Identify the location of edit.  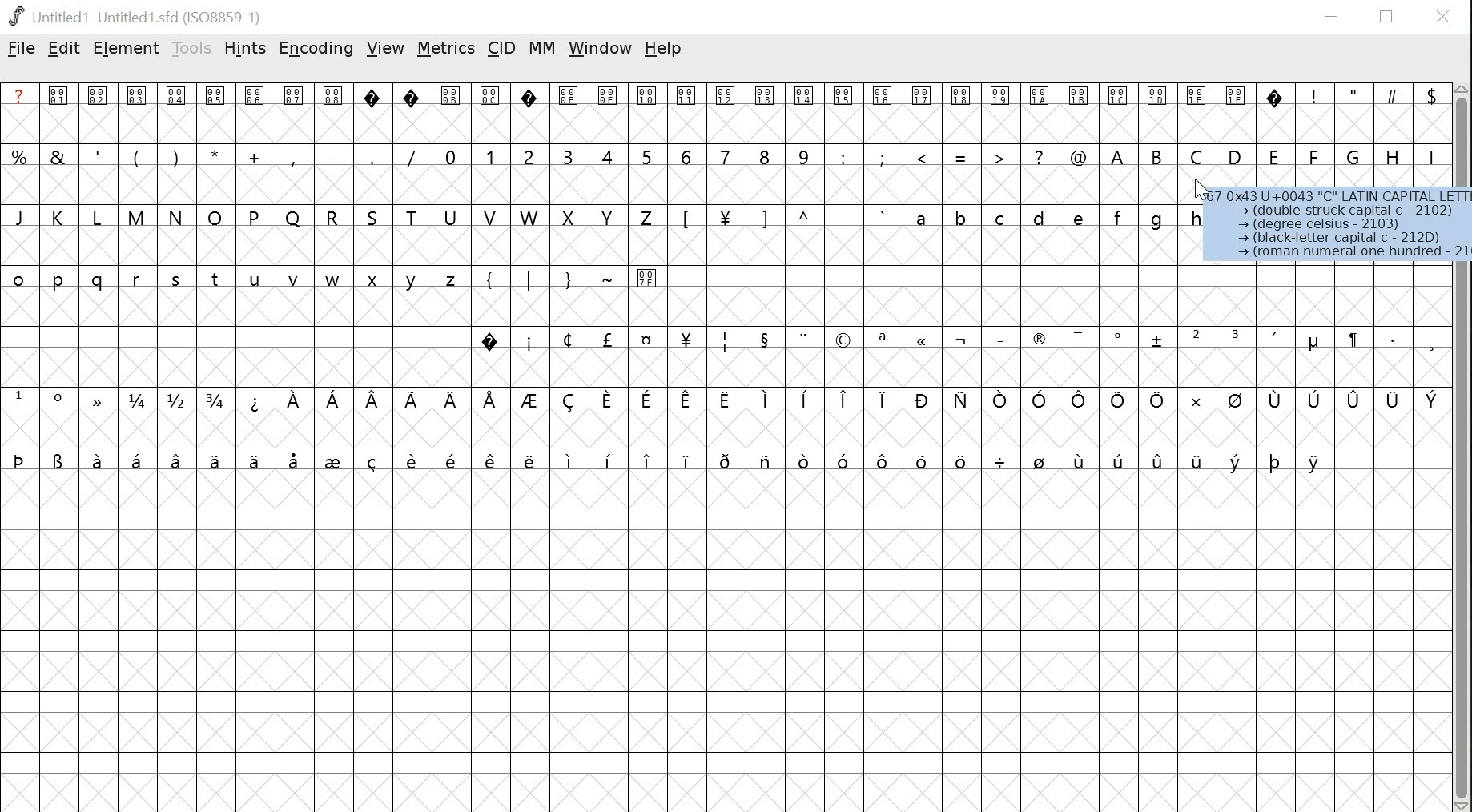
(63, 48).